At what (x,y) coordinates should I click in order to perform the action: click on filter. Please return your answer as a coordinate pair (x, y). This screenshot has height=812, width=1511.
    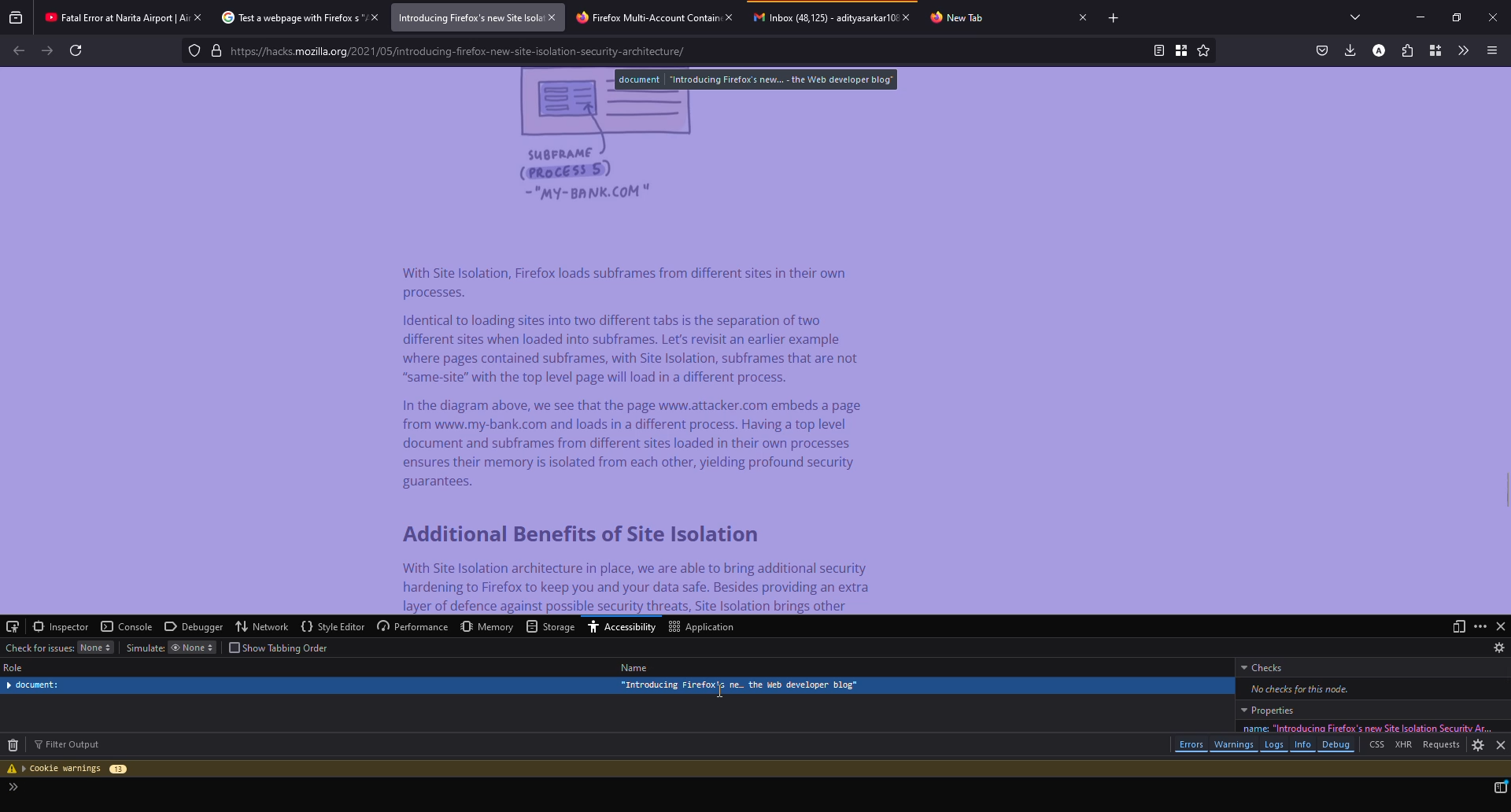
    Looking at the image, I should click on (69, 744).